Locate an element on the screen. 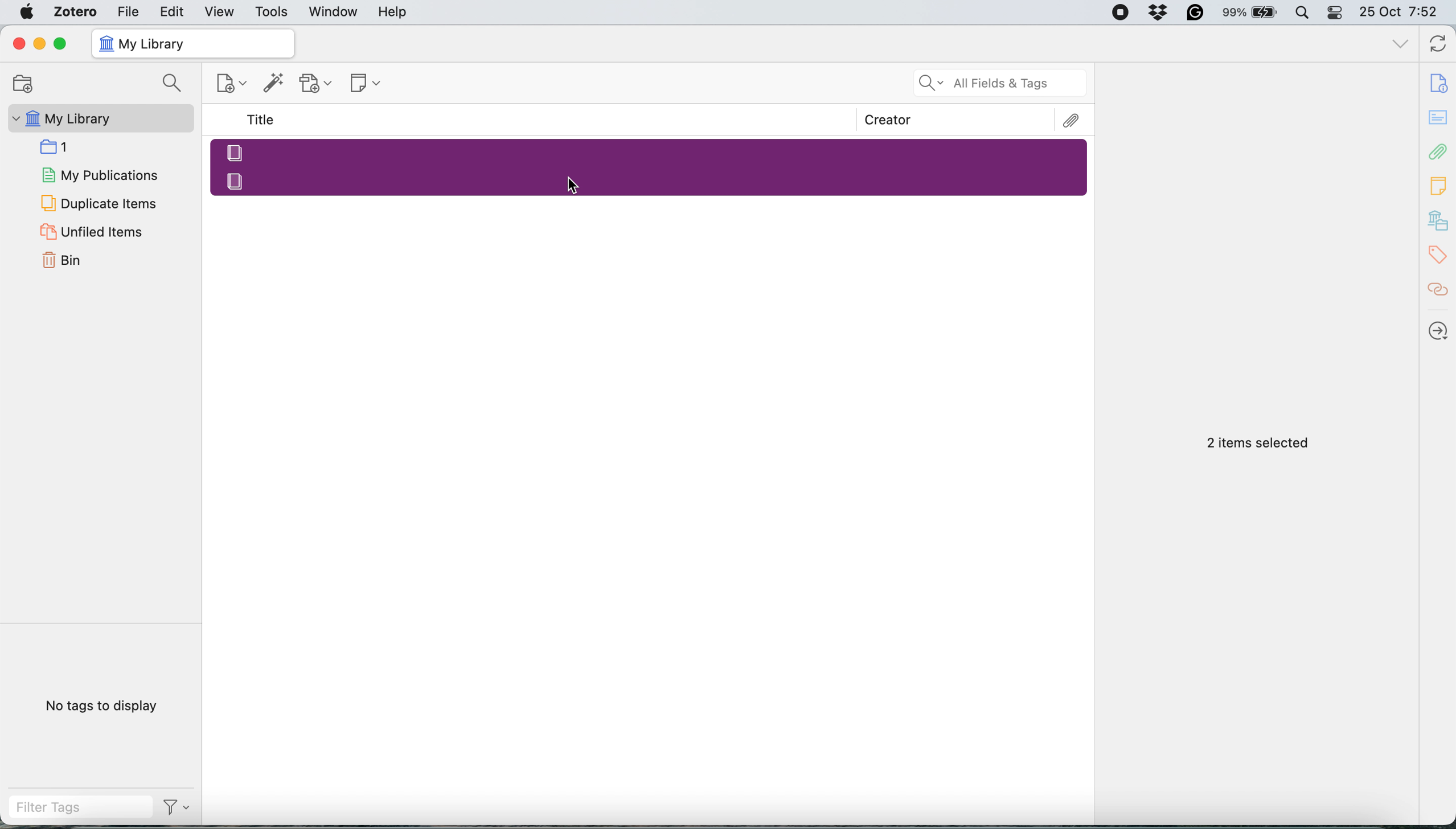 Image resolution: width=1456 pixels, height=829 pixels. notes is located at coordinates (1439, 118).